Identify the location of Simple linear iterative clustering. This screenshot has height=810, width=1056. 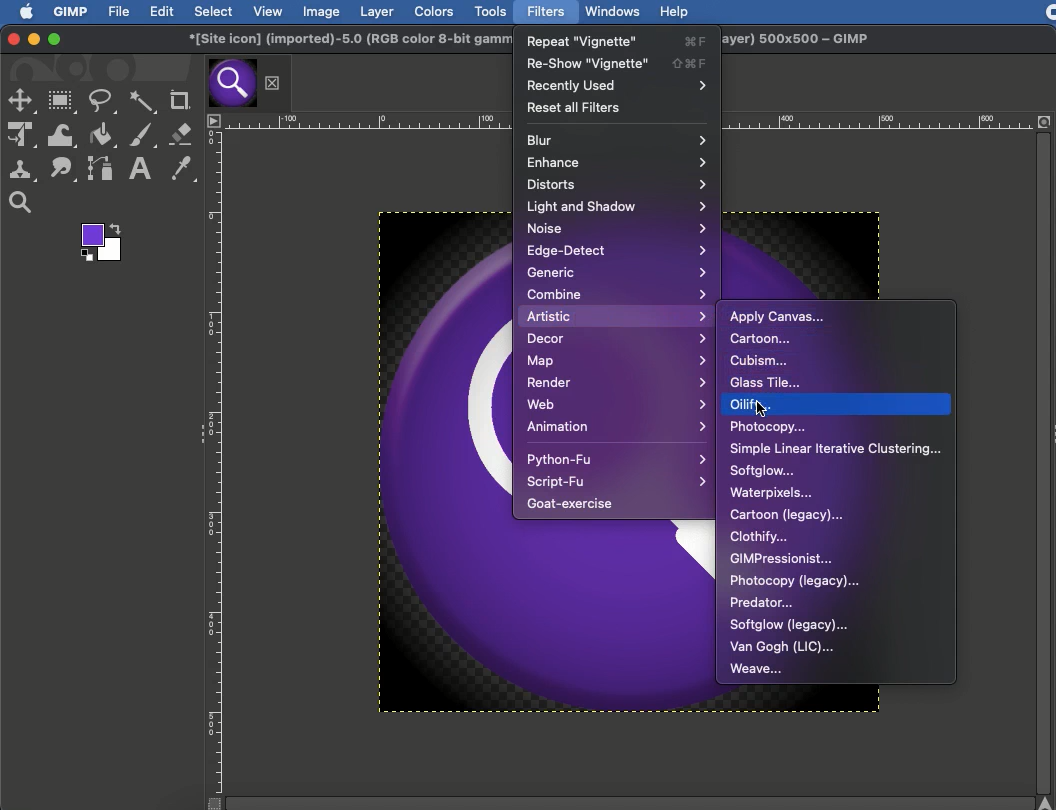
(835, 449).